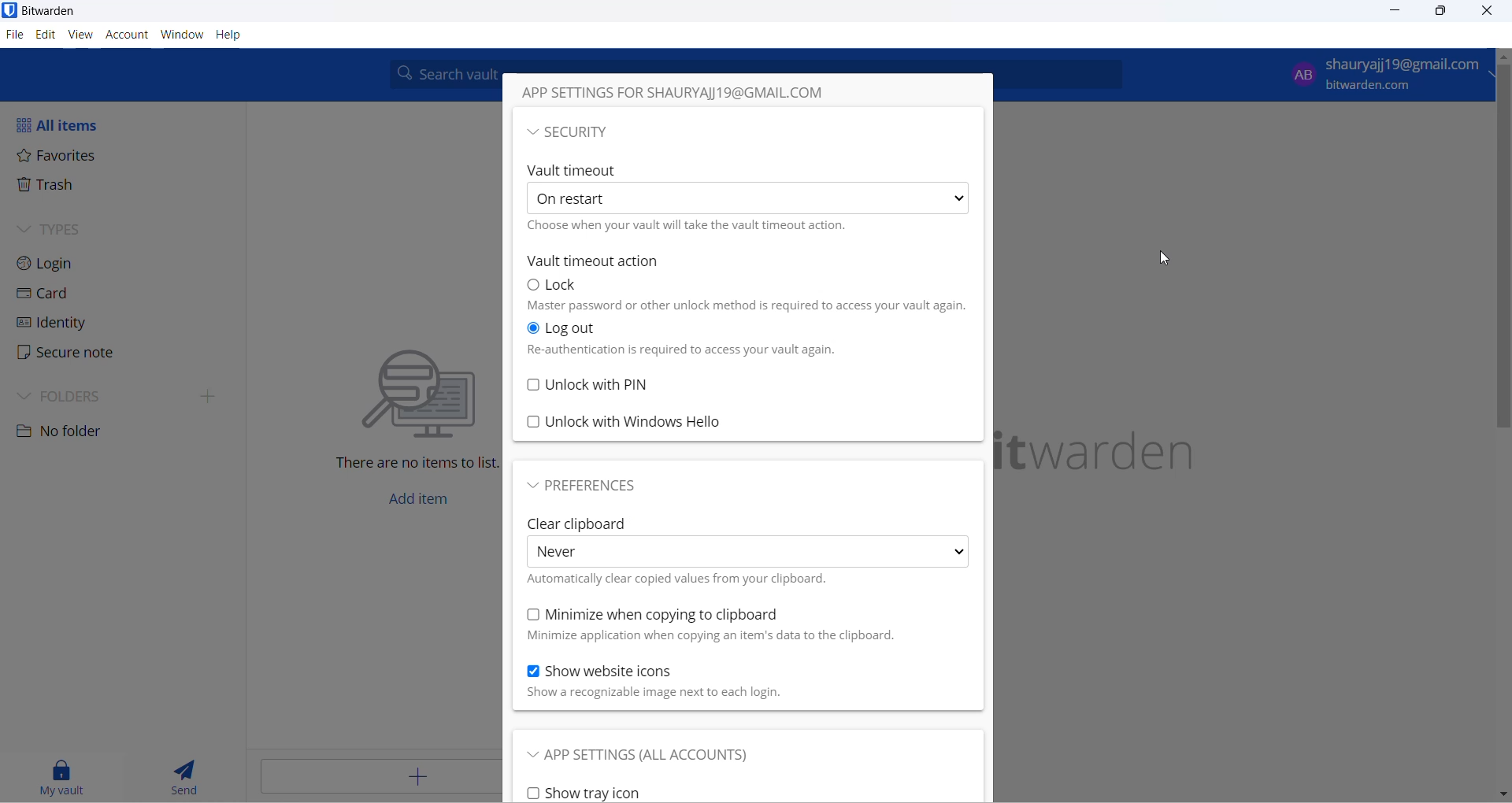  Describe the element at coordinates (66, 434) in the screenshot. I see `No folder` at that location.